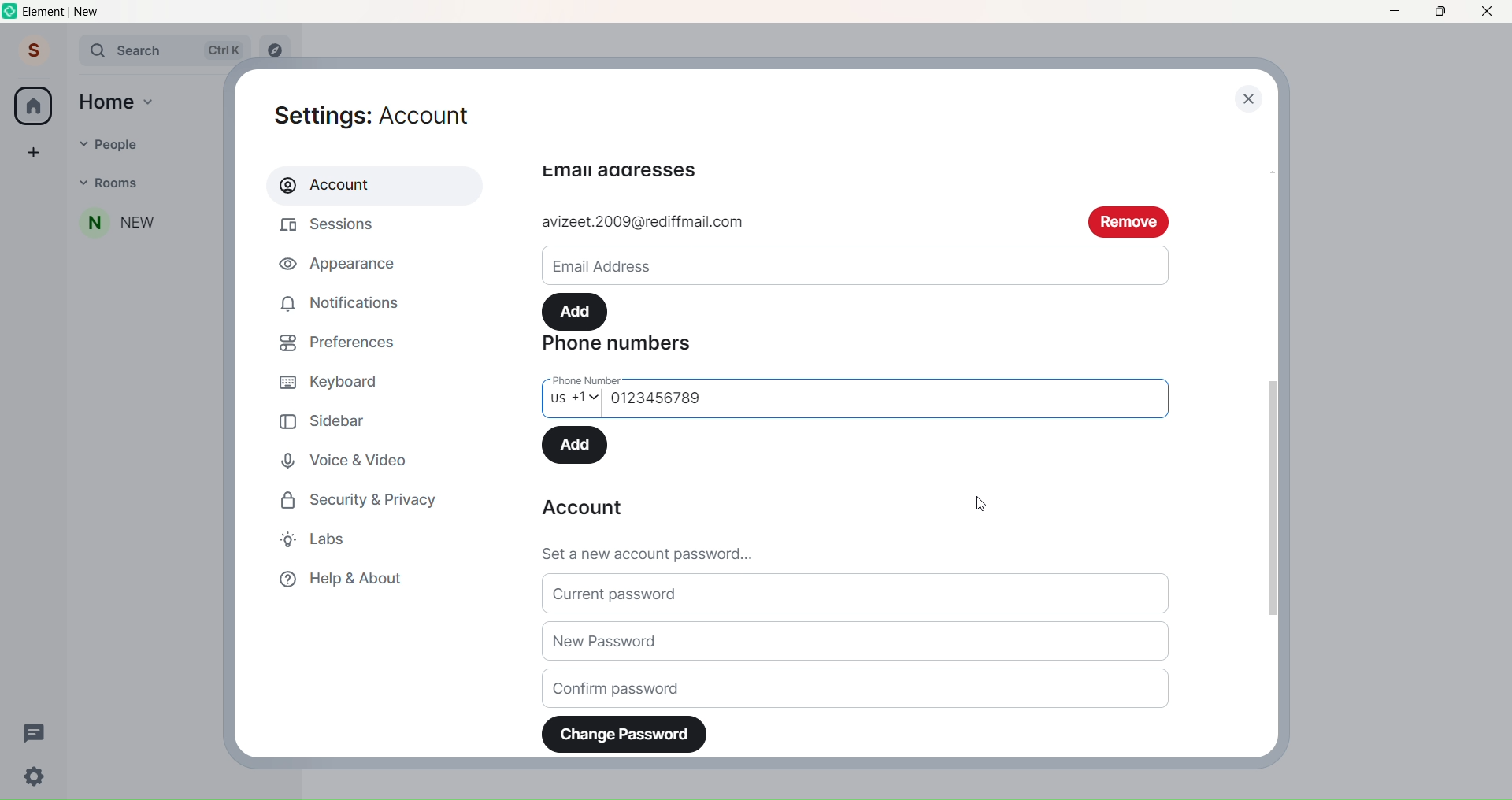 The image size is (1512, 800). I want to click on close, so click(1251, 101).